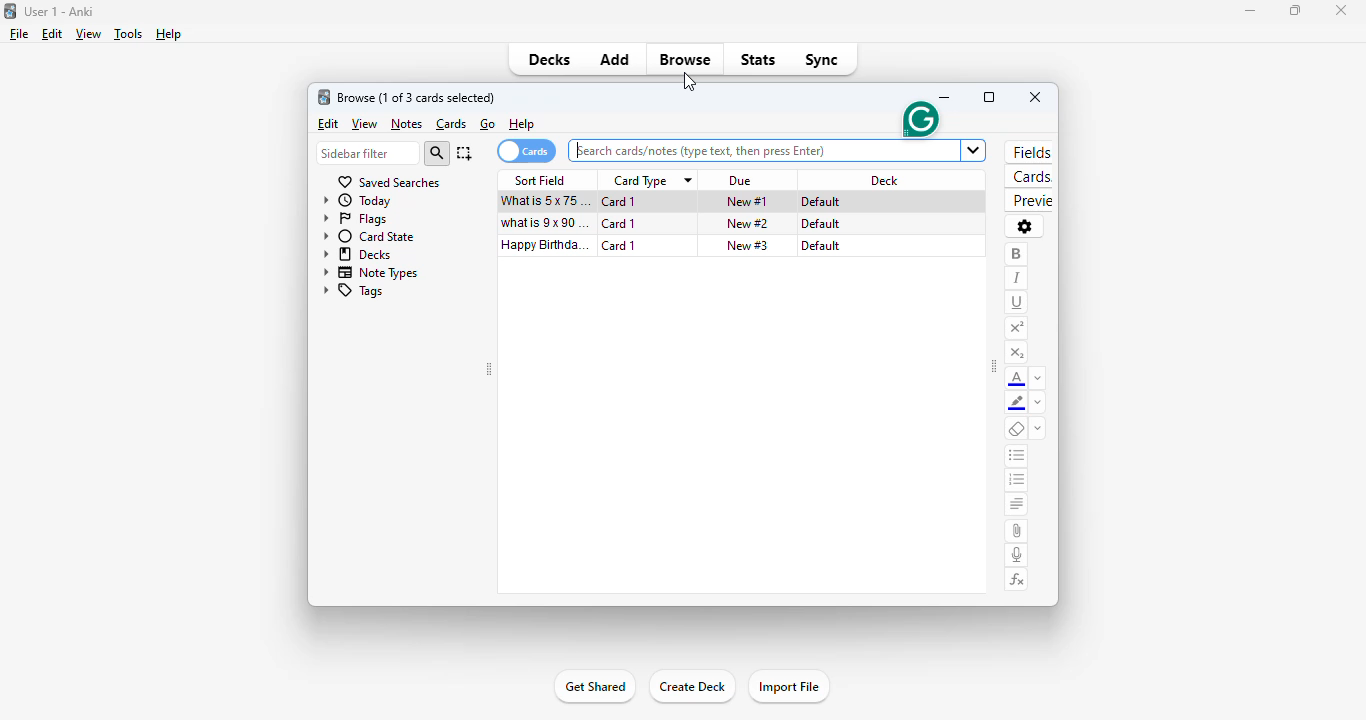 The height and width of the screenshot is (720, 1366). Describe the element at coordinates (545, 201) in the screenshot. I see `what is 5x75=?` at that location.